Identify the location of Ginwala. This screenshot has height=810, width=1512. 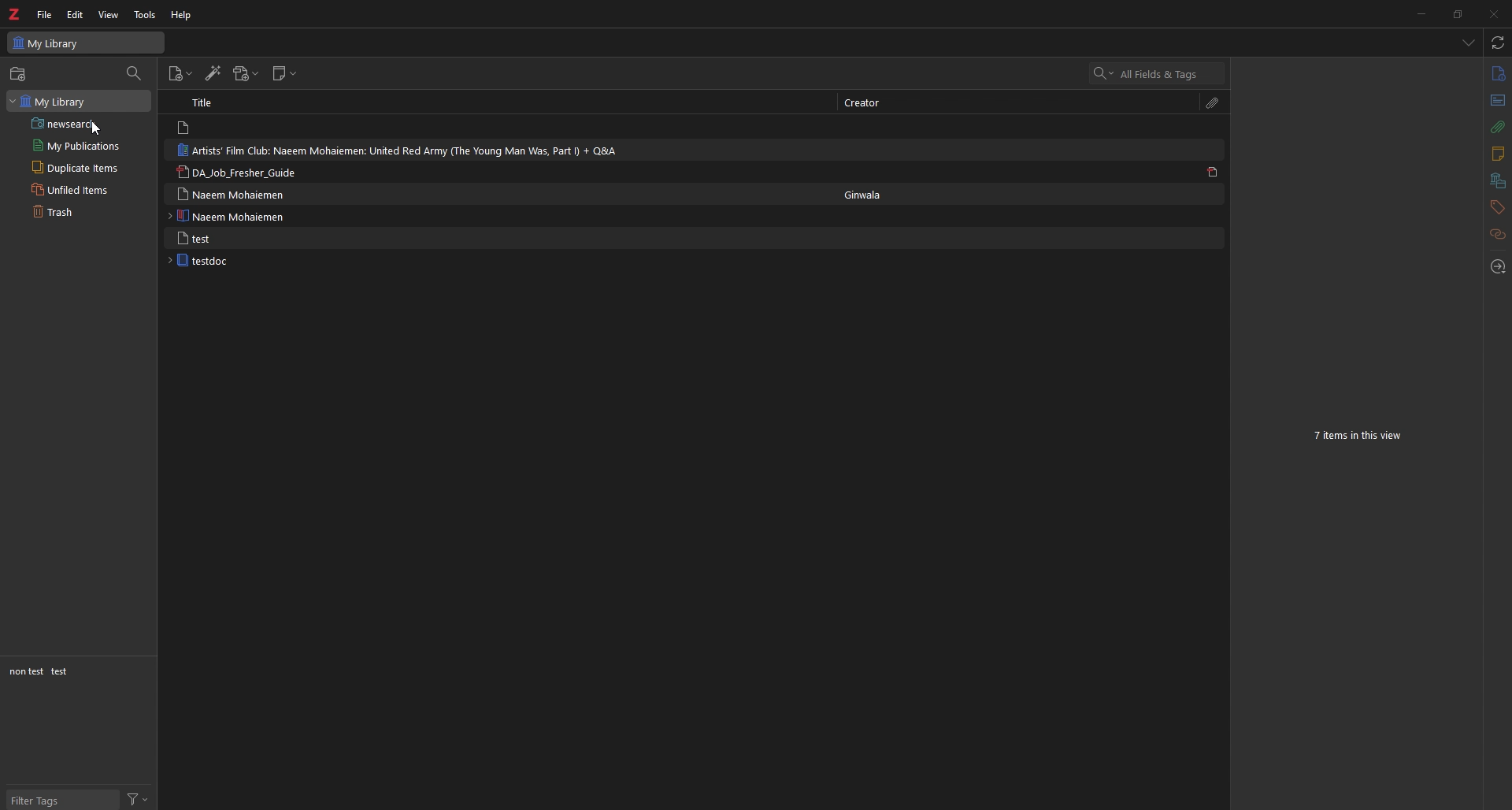
(865, 195).